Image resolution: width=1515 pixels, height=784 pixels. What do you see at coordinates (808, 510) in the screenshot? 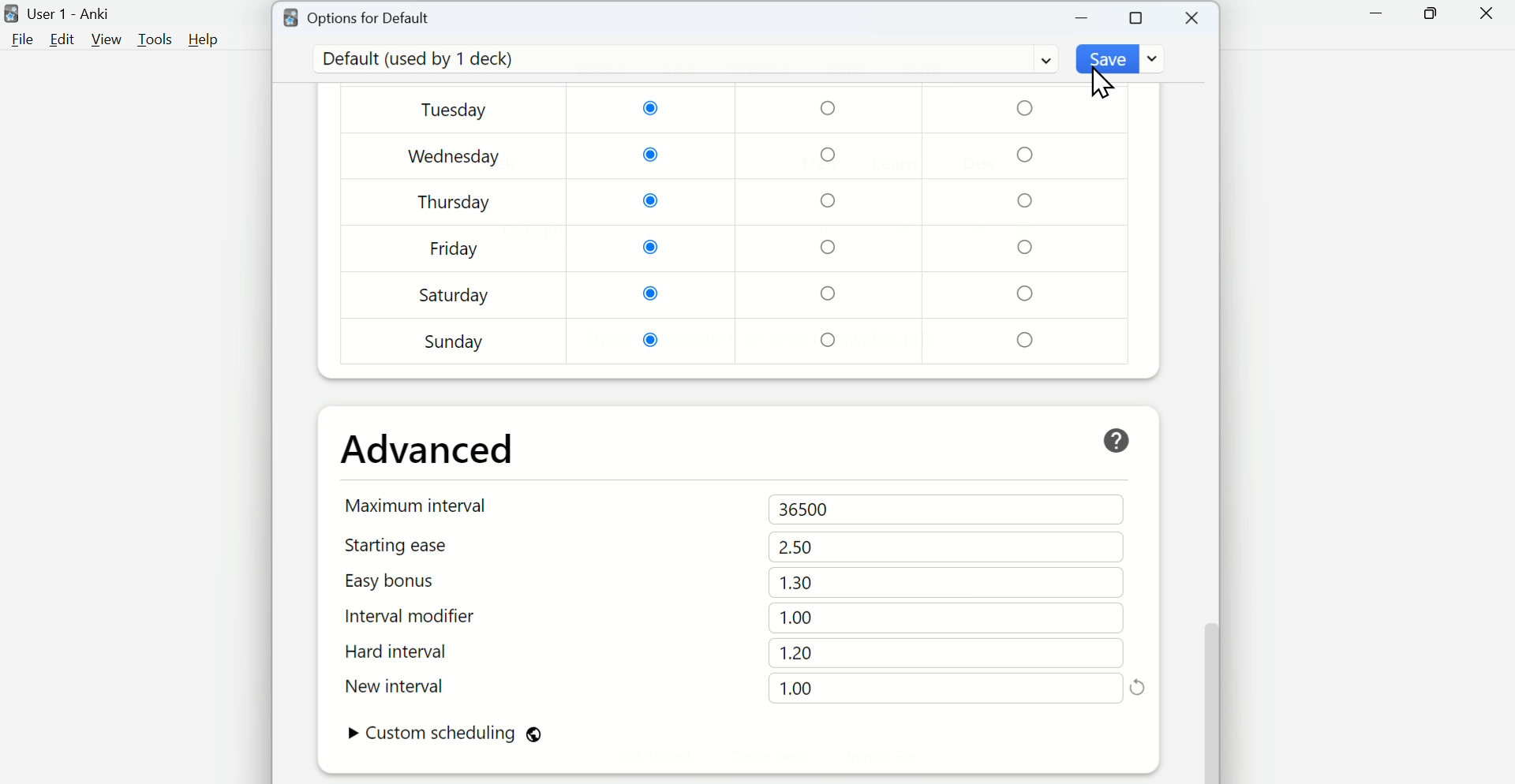
I see `36500` at bounding box center [808, 510].